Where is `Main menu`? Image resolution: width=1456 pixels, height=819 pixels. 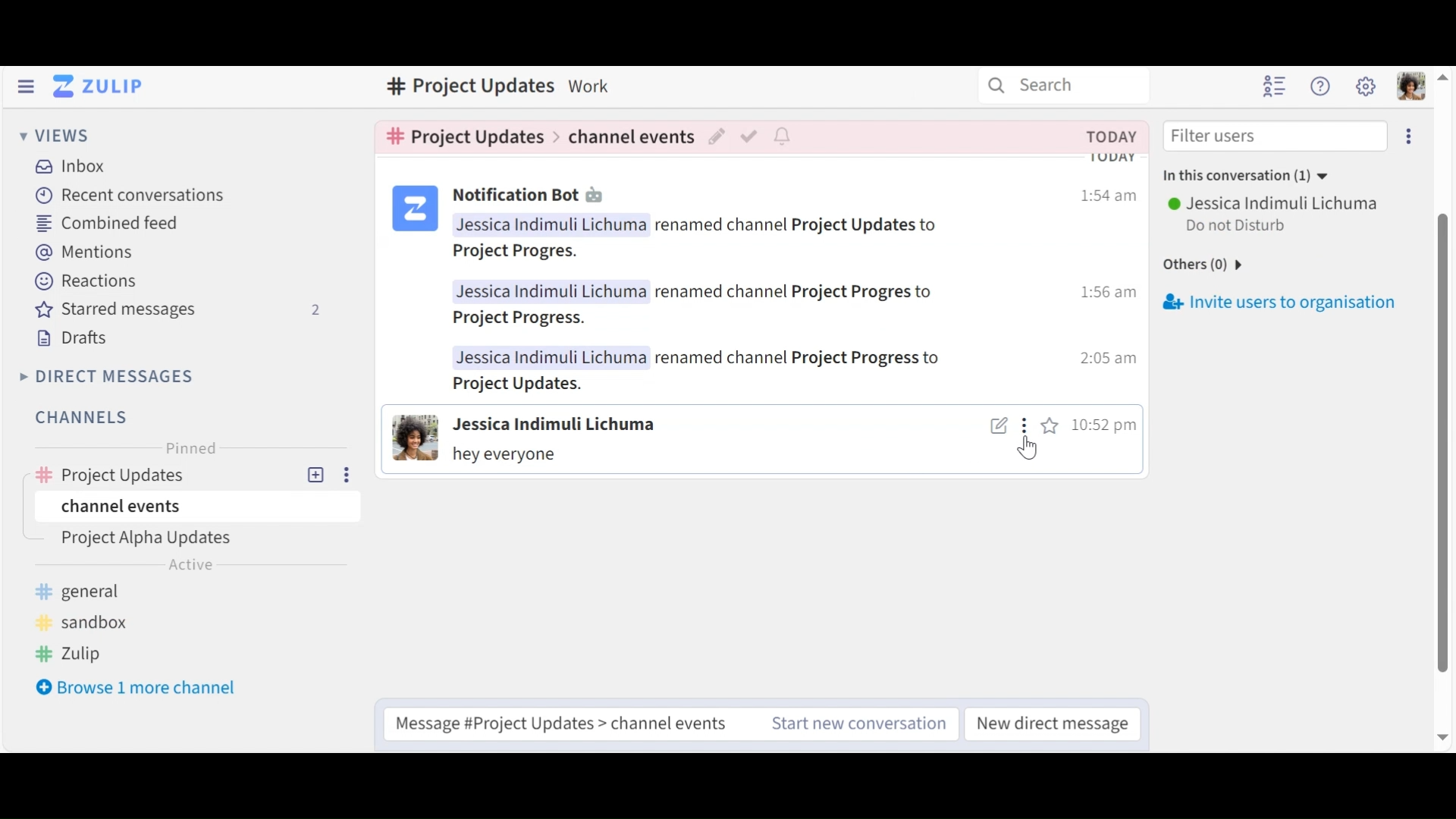 Main menu is located at coordinates (1367, 88).